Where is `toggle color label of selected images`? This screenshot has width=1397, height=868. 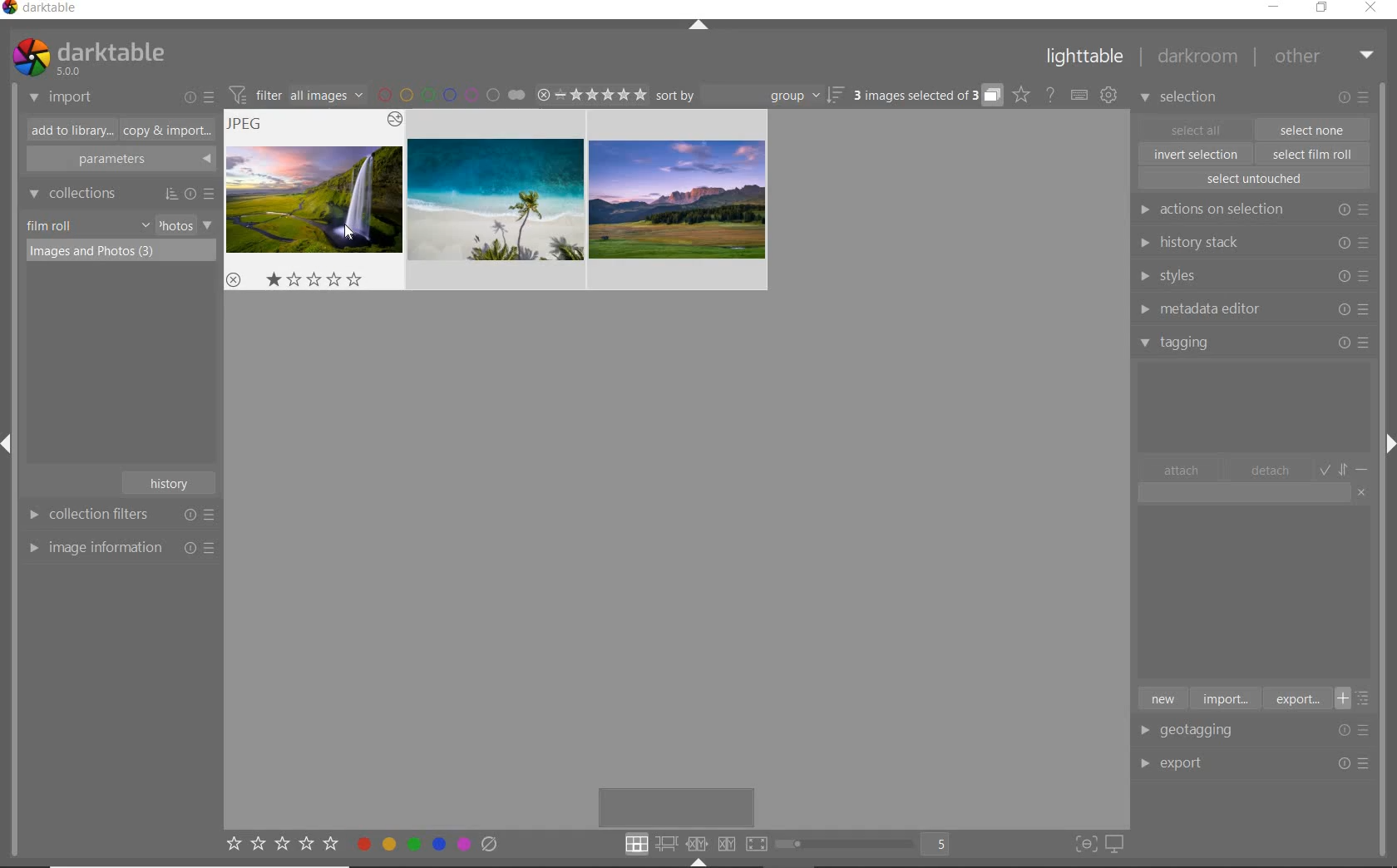 toggle color label of selected images is located at coordinates (428, 843).